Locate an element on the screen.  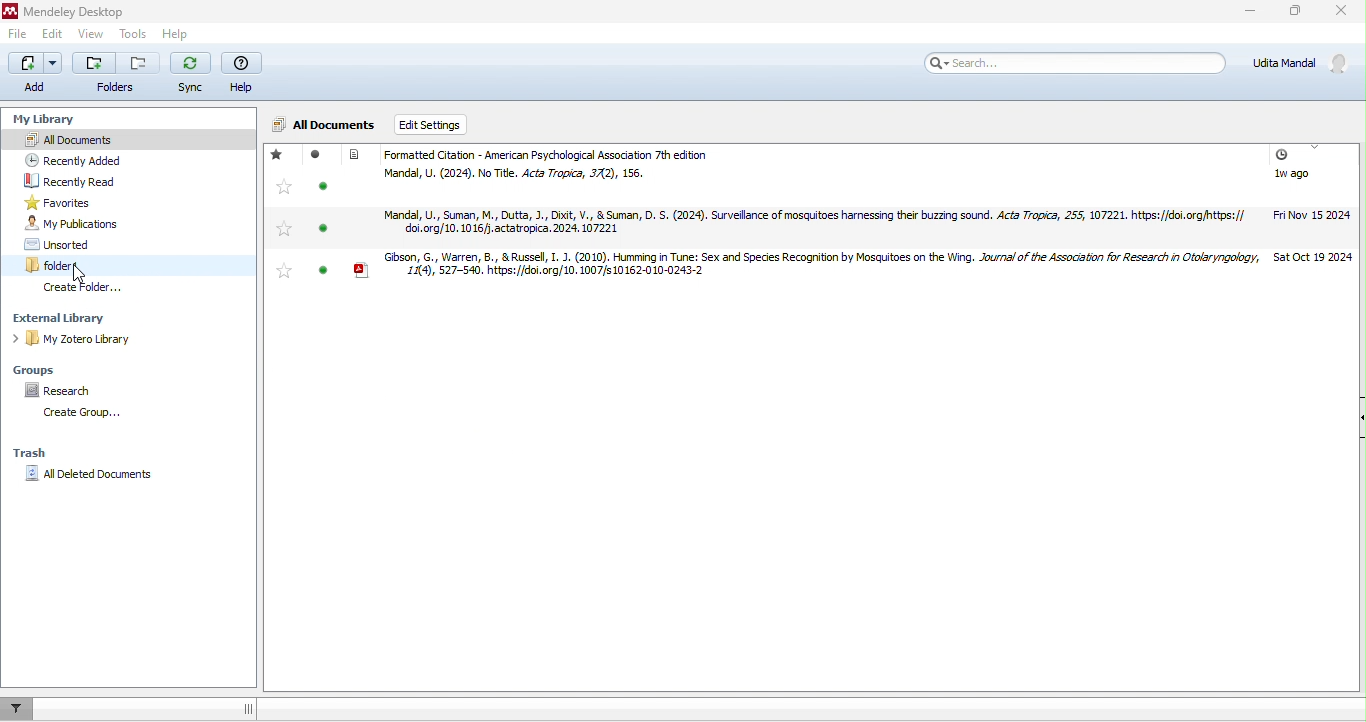
close is located at coordinates (1341, 10).